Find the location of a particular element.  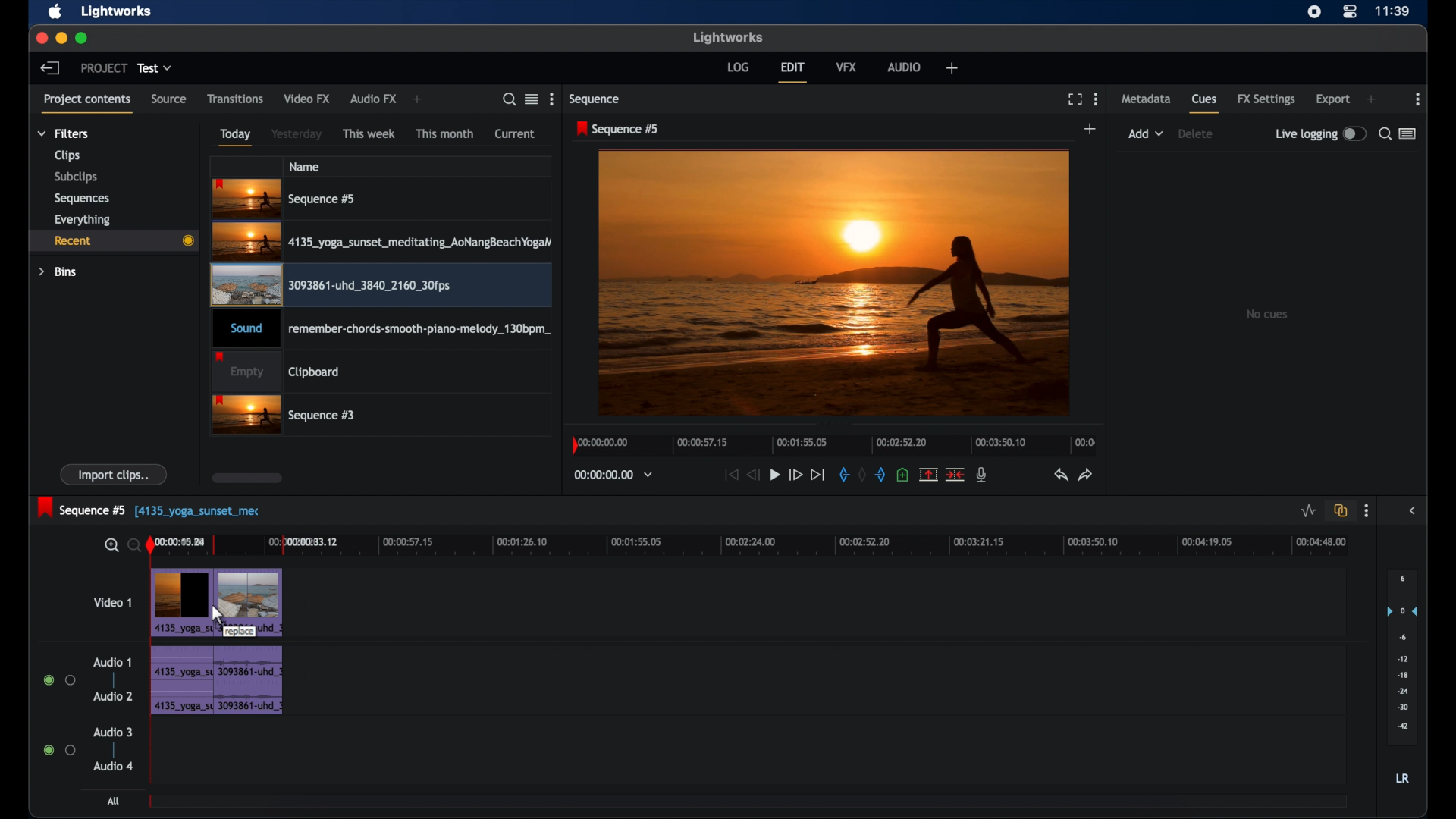

add is located at coordinates (1371, 99).